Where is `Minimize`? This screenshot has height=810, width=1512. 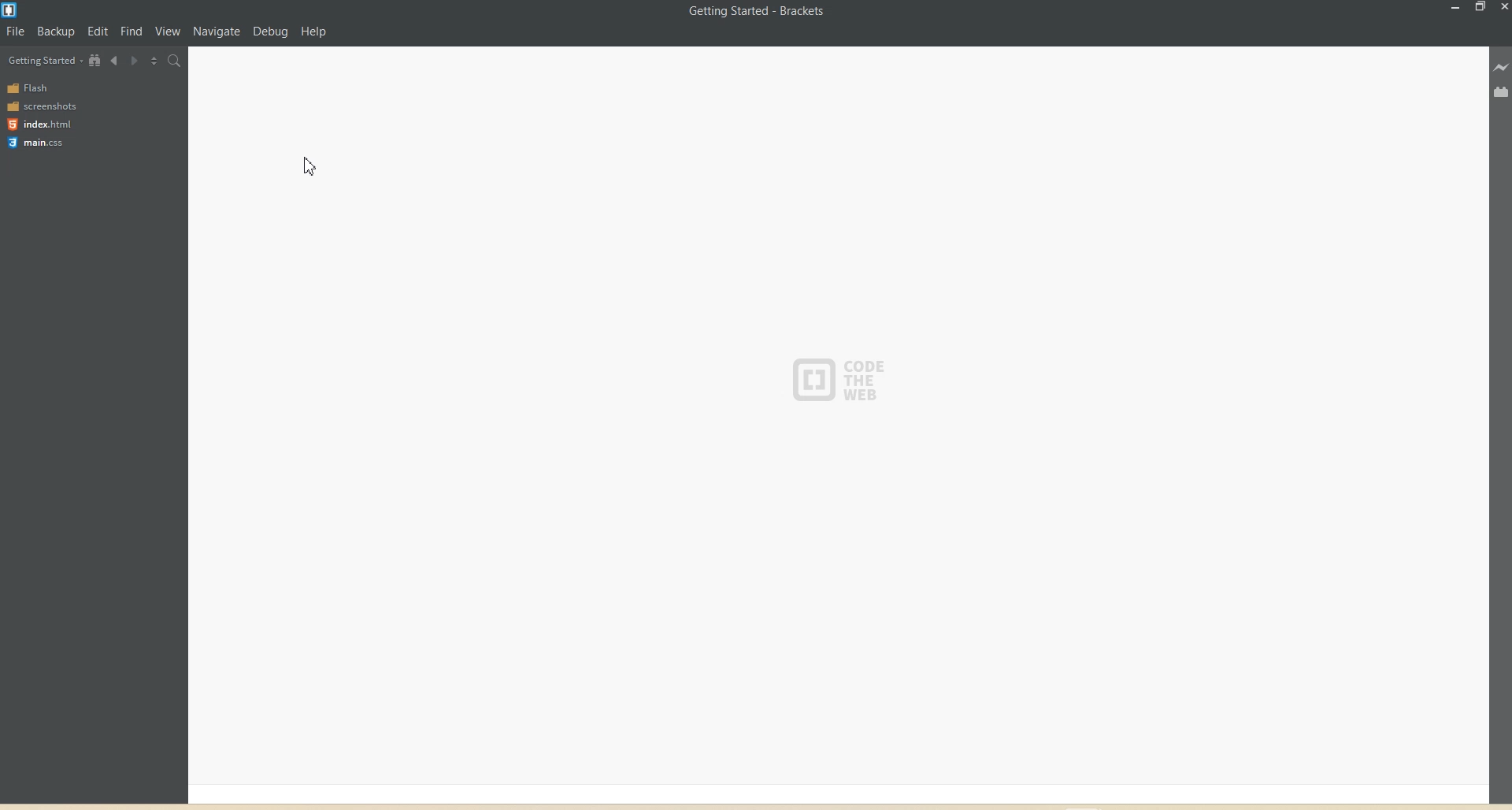
Minimize is located at coordinates (1457, 8).